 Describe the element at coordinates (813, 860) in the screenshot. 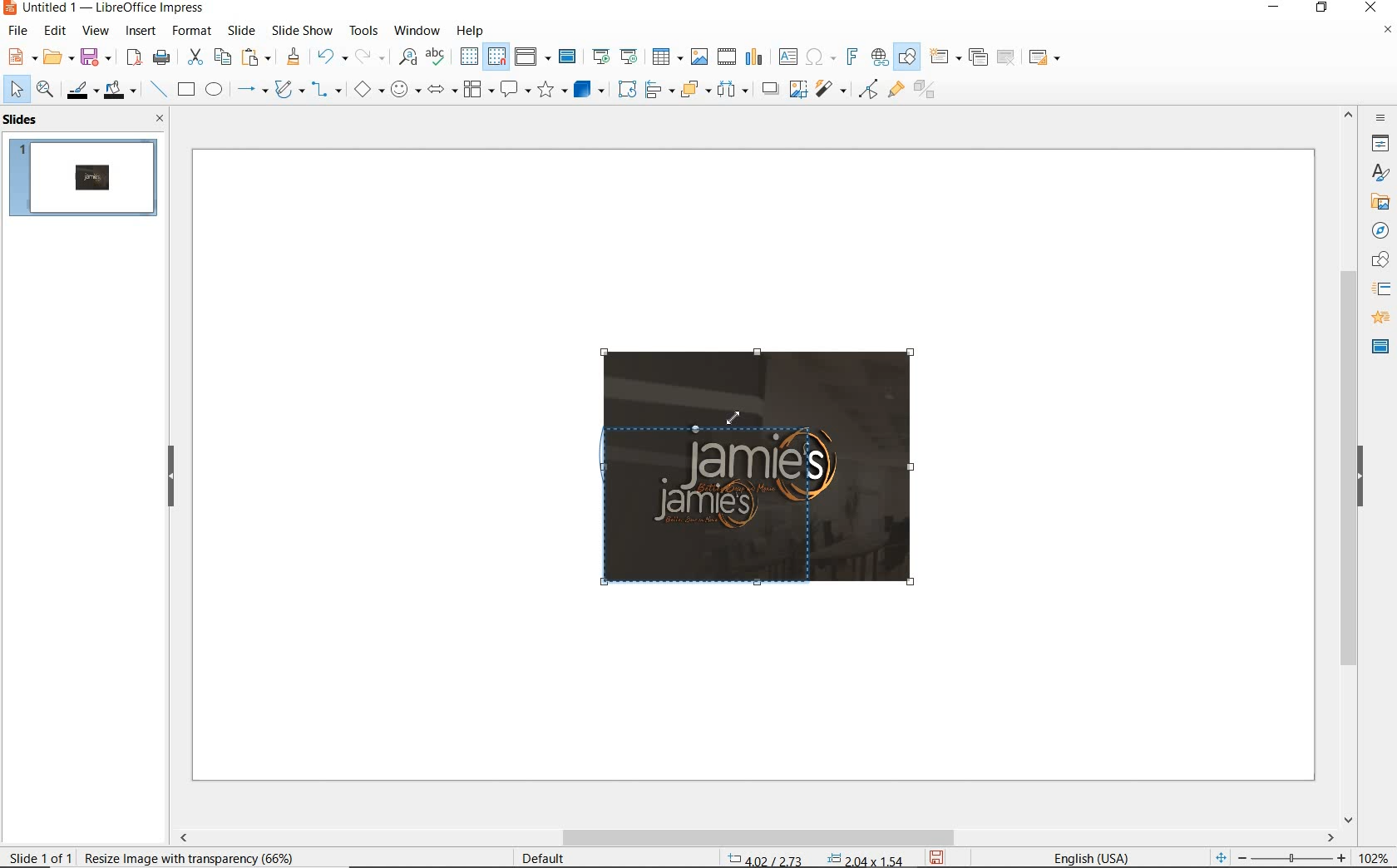

I see `coordinates` at that location.